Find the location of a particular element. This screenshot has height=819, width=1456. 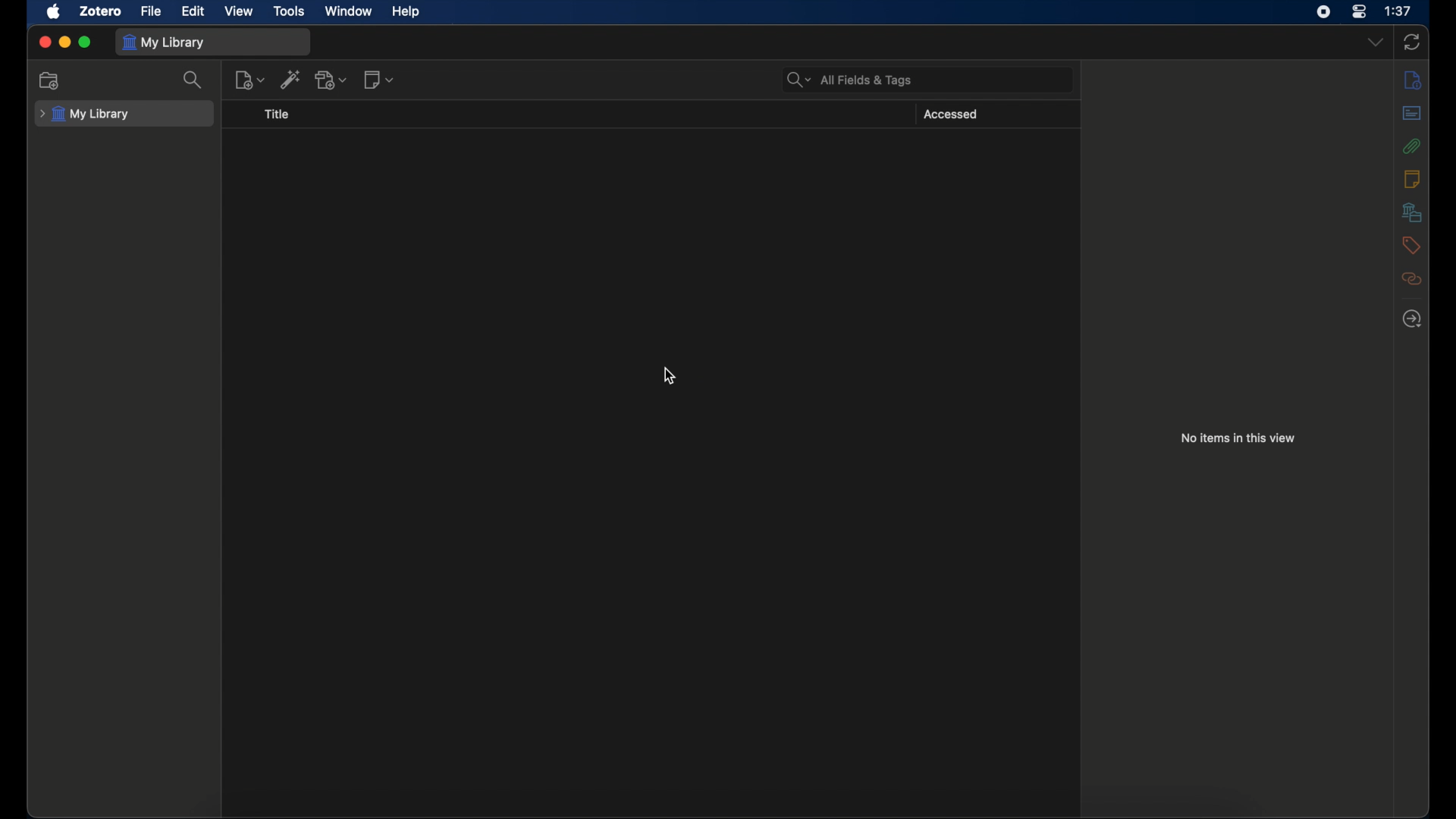

new item is located at coordinates (251, 83).